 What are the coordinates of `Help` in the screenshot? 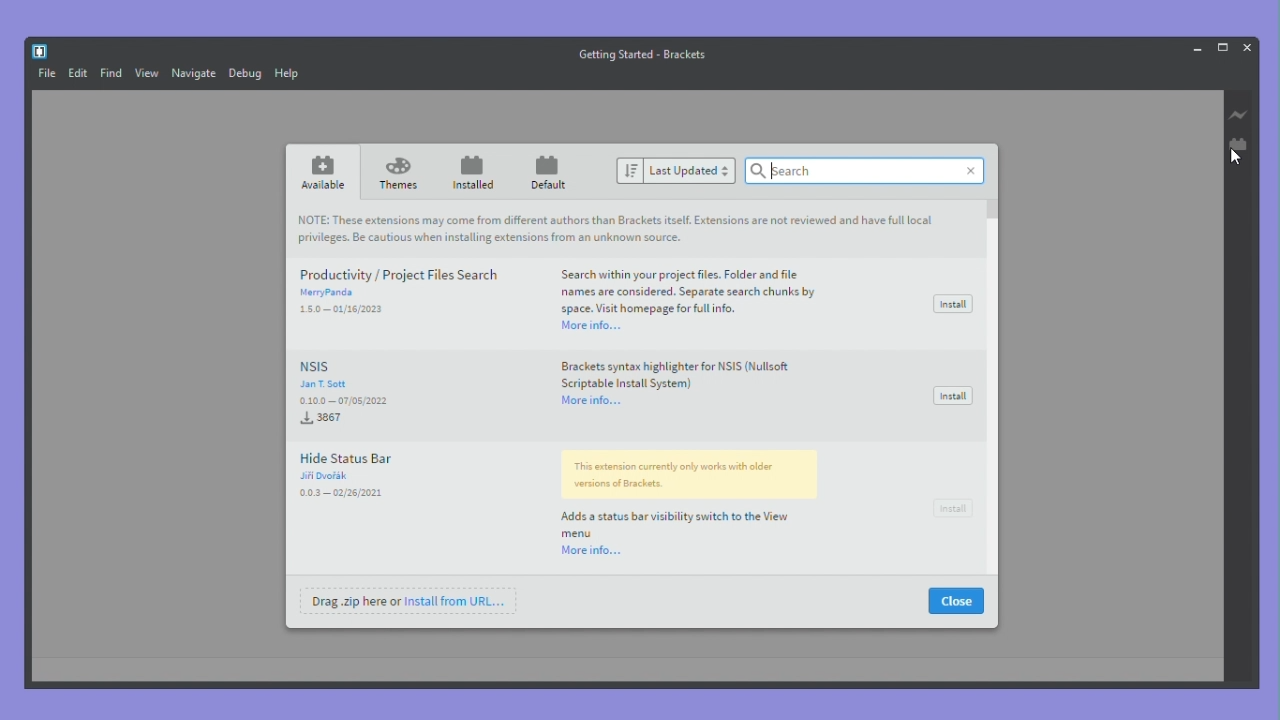 It's located at (287, 72).